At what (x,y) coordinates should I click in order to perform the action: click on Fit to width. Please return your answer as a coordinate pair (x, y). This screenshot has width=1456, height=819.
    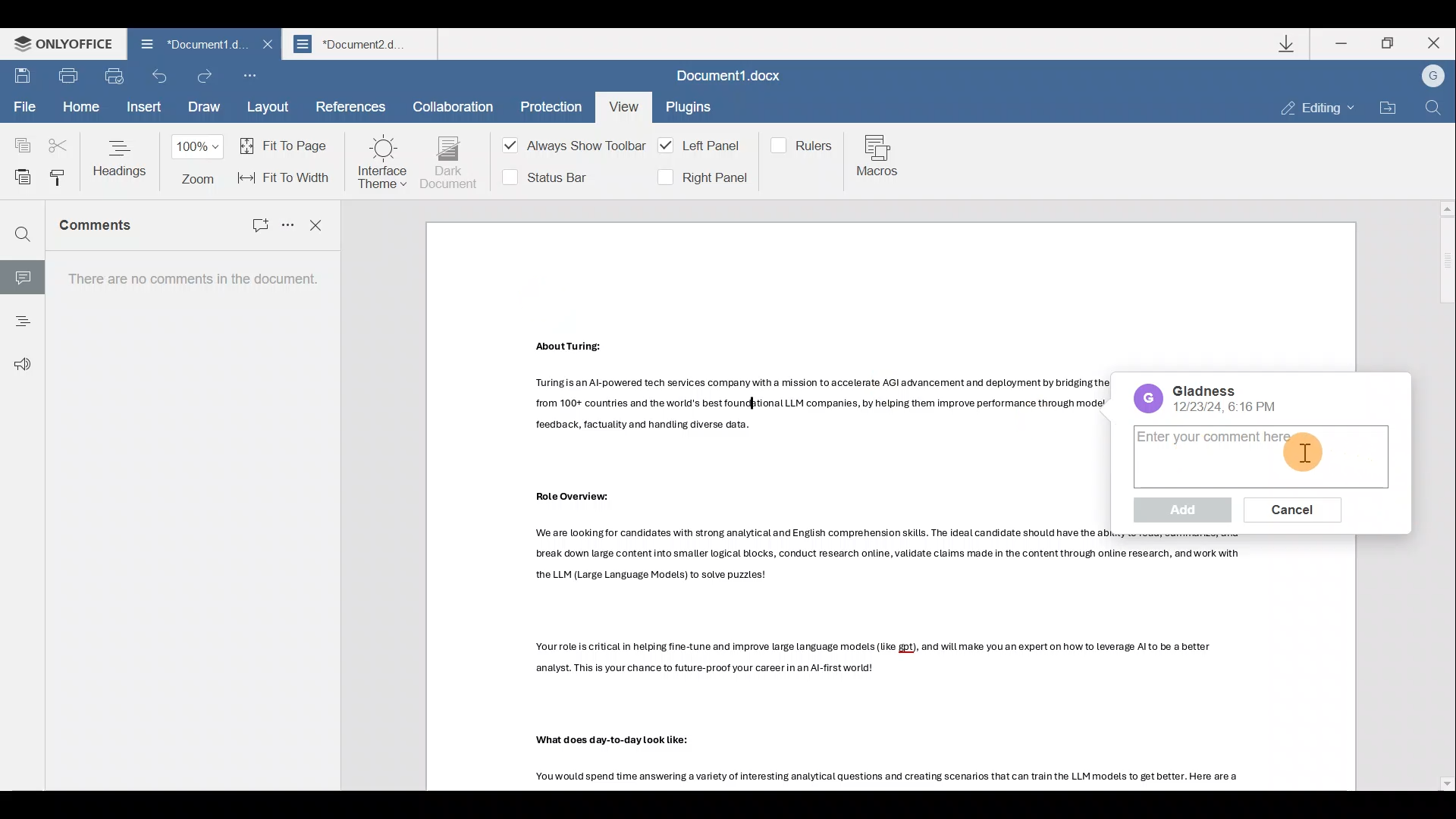
    Looking at the image, I should click on (286, 177).